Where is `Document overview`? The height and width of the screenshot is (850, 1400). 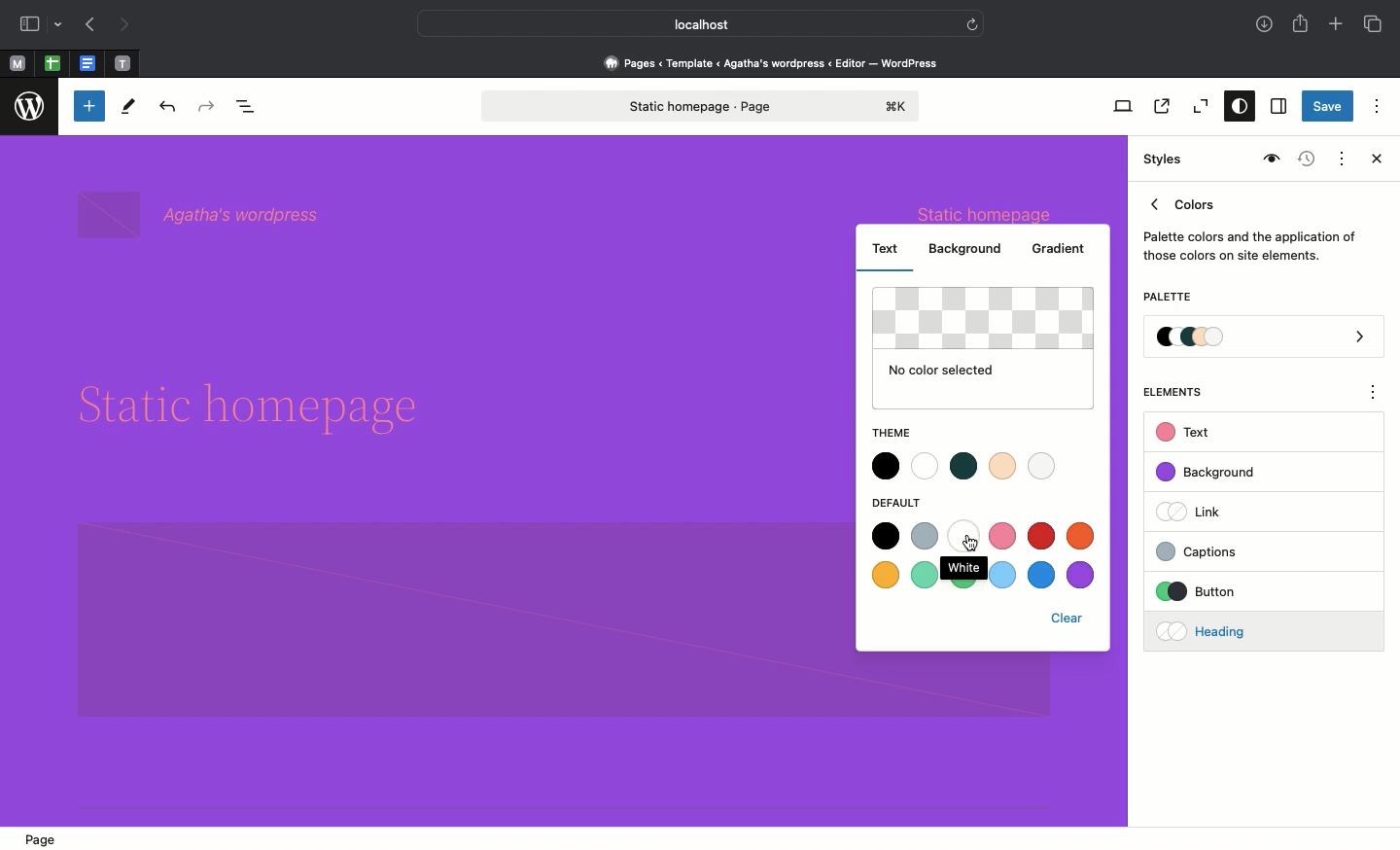 Document overview is located at coordinates (250, 108).